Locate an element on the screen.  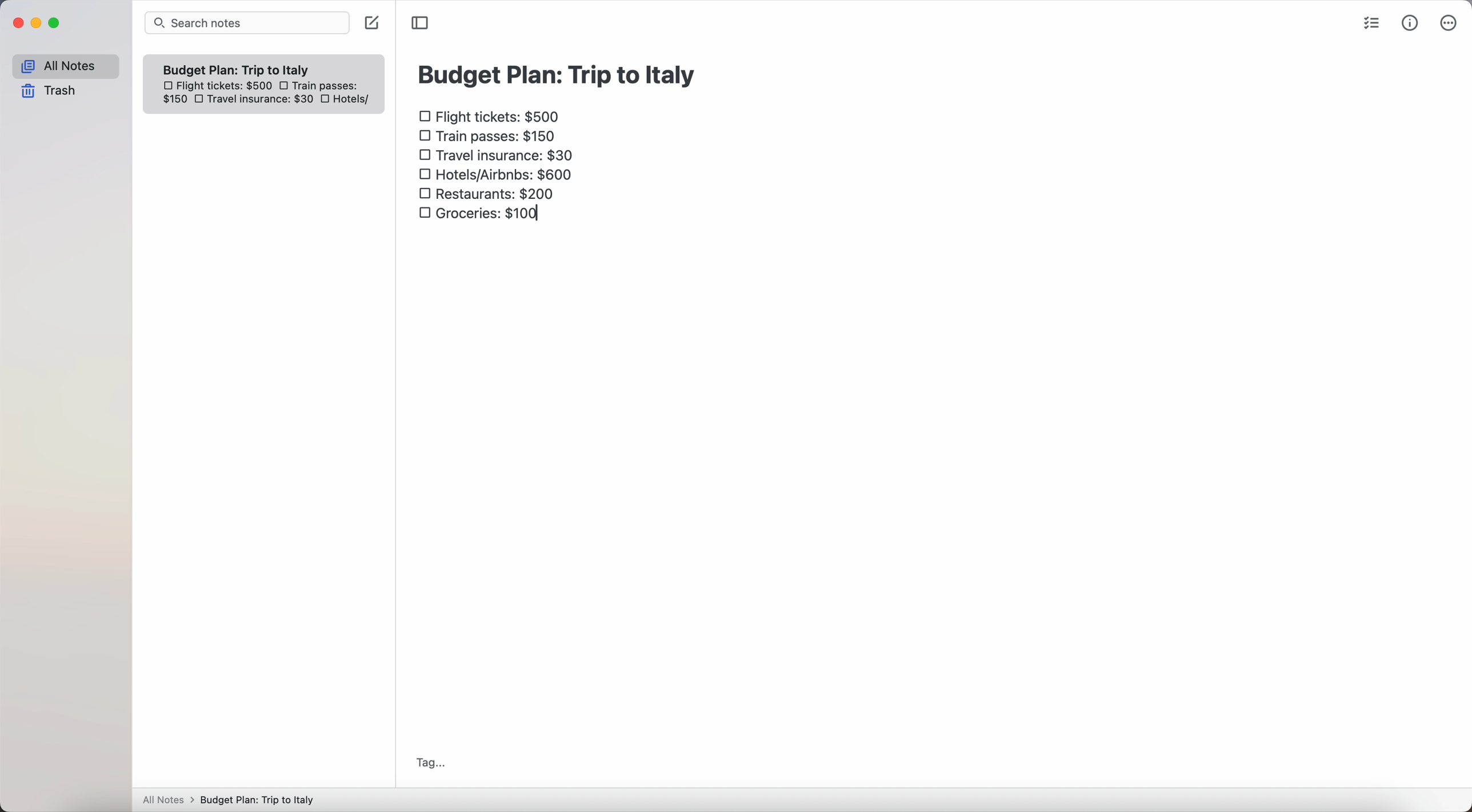
checkbox is located at coordinates (329, 100).